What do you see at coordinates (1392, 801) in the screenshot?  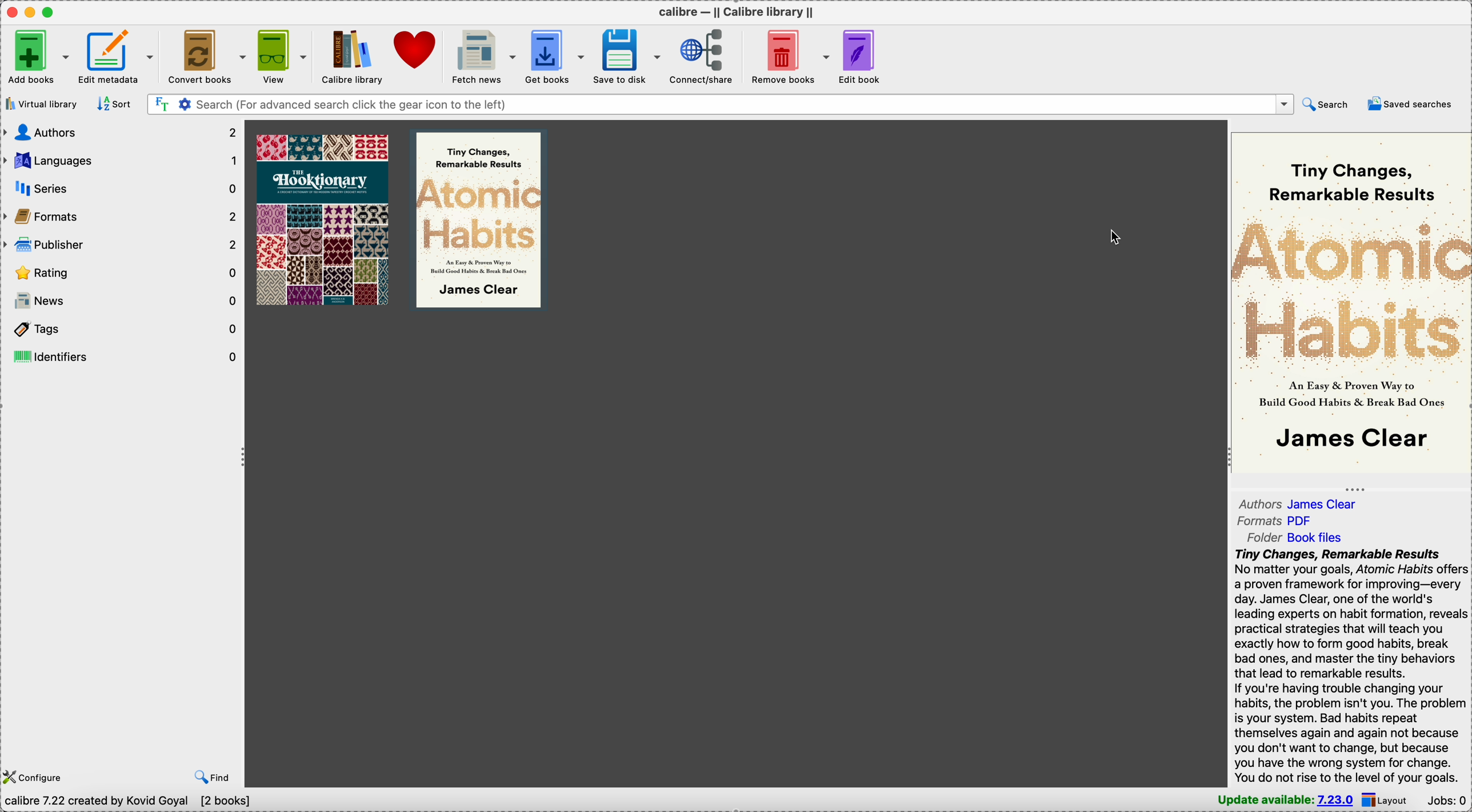 I see `layout` at bounding box center [1392, 801].